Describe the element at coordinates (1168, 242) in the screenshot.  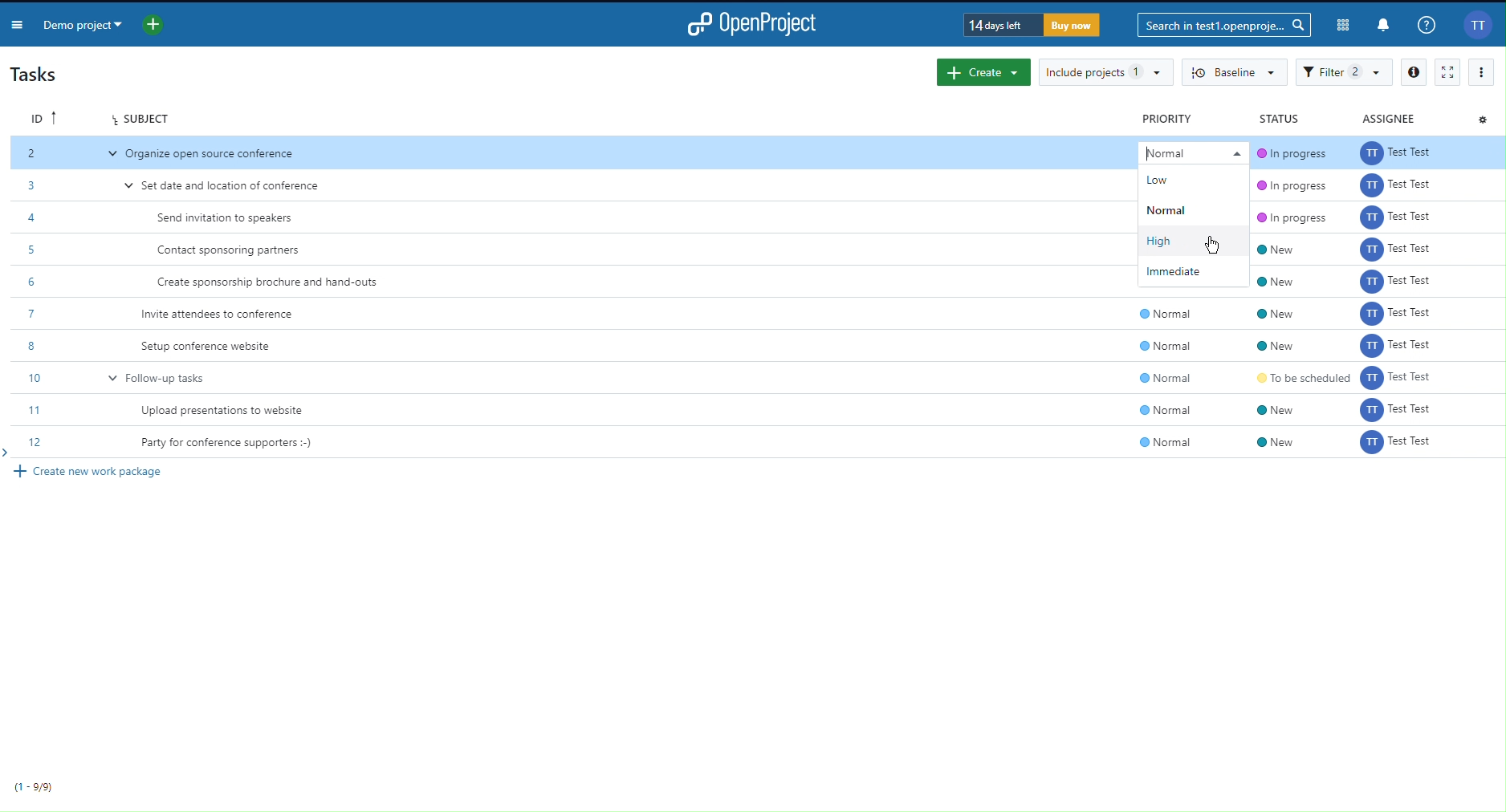
I see `High` at that location.